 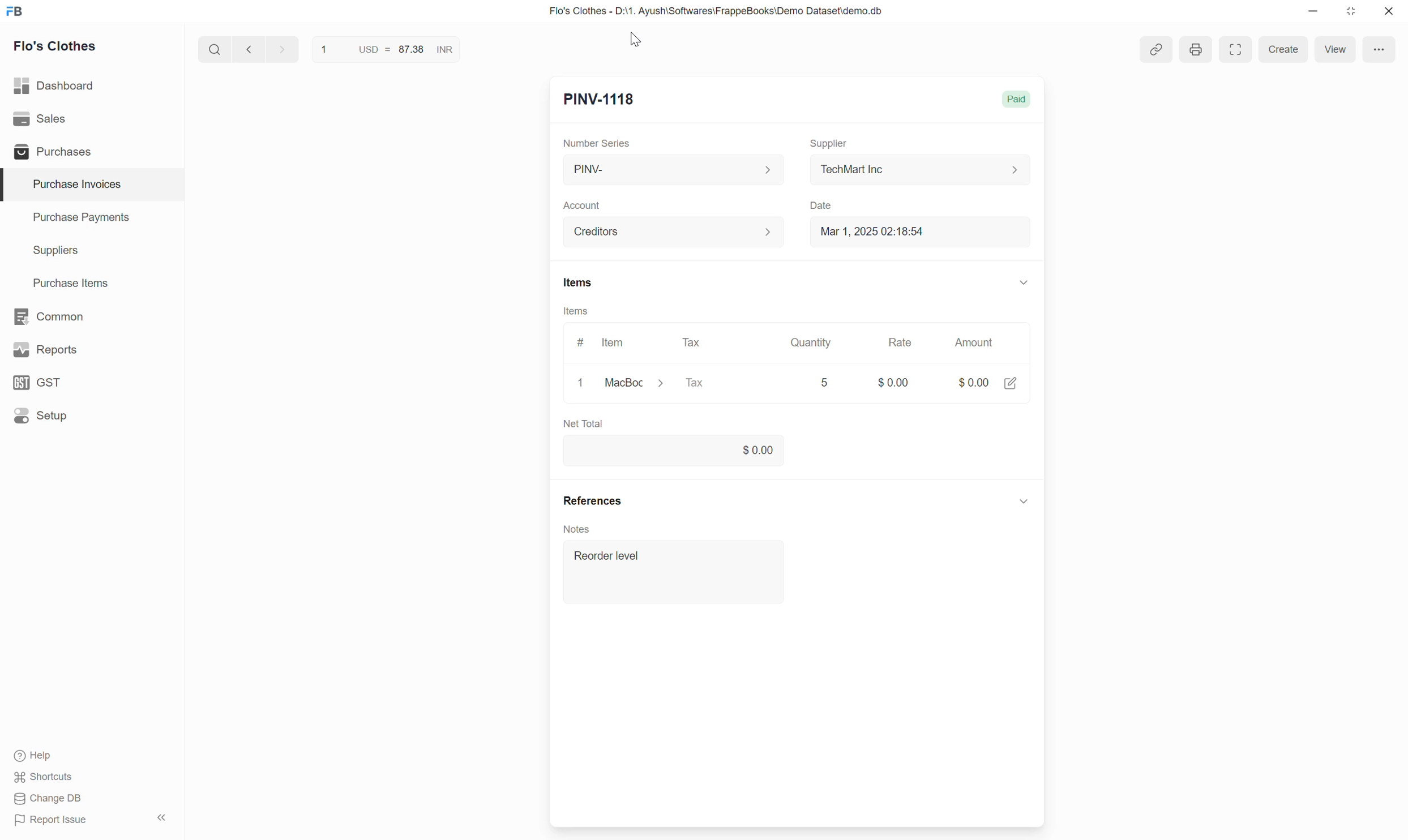 What do you see at coordinates (893, 378) in the screenshot?
I see `$0.00` at bounding box center [893, 378].